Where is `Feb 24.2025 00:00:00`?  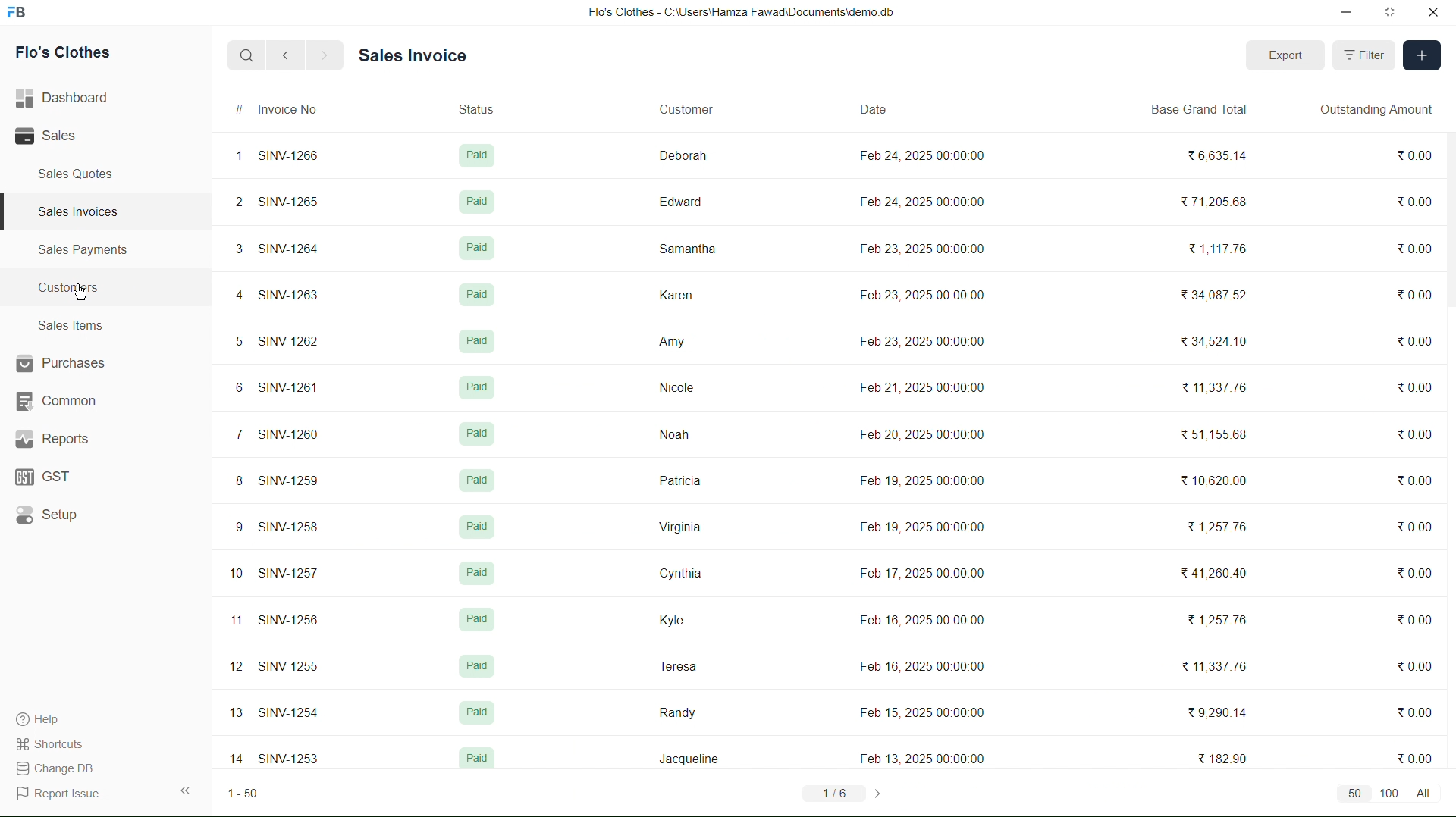
Feb 24.2025 00:00:00 is located at coordinates (927, 202).